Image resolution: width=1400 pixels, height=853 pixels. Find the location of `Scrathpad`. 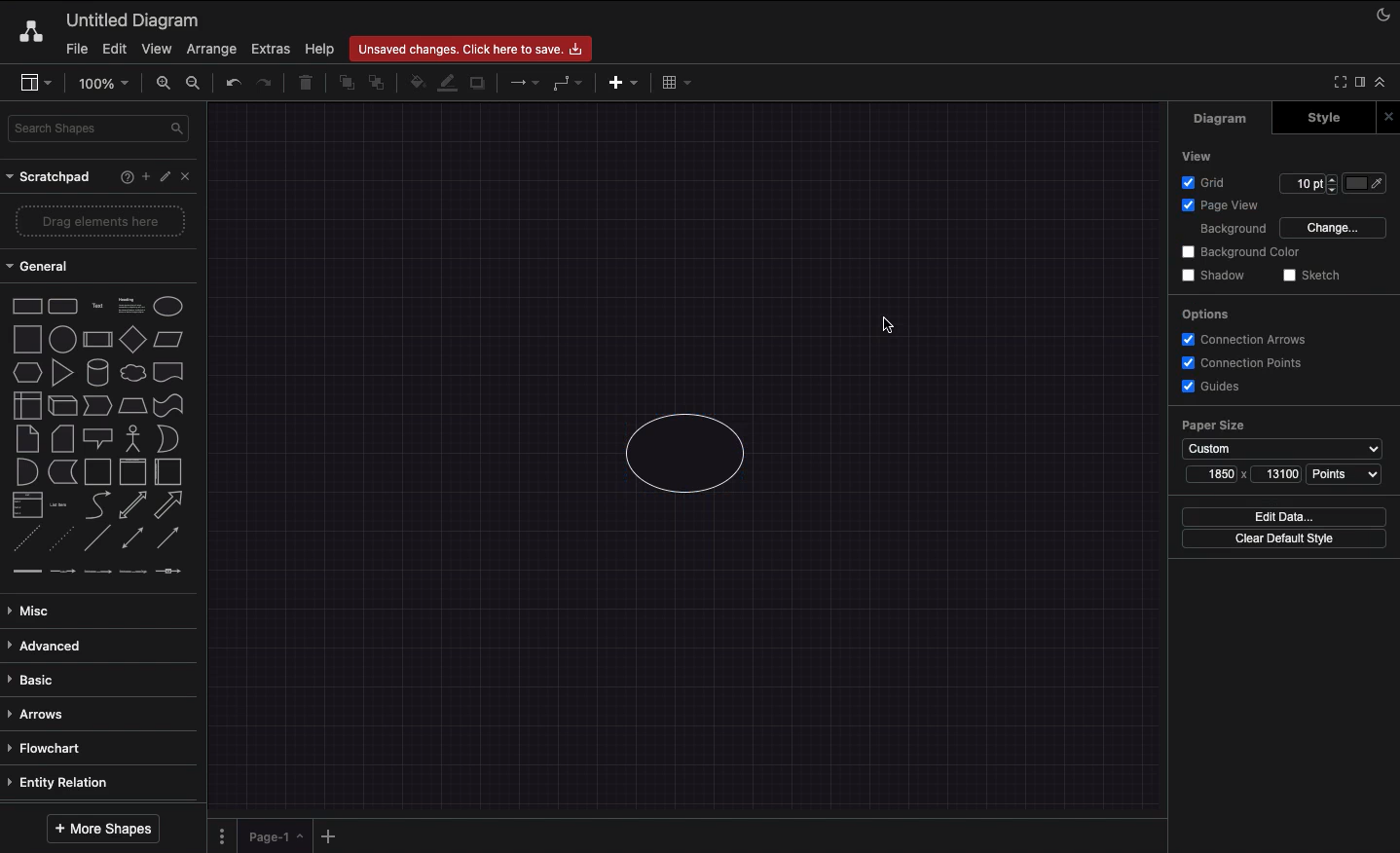

Scrathpad is located at coordinates (50, 177).